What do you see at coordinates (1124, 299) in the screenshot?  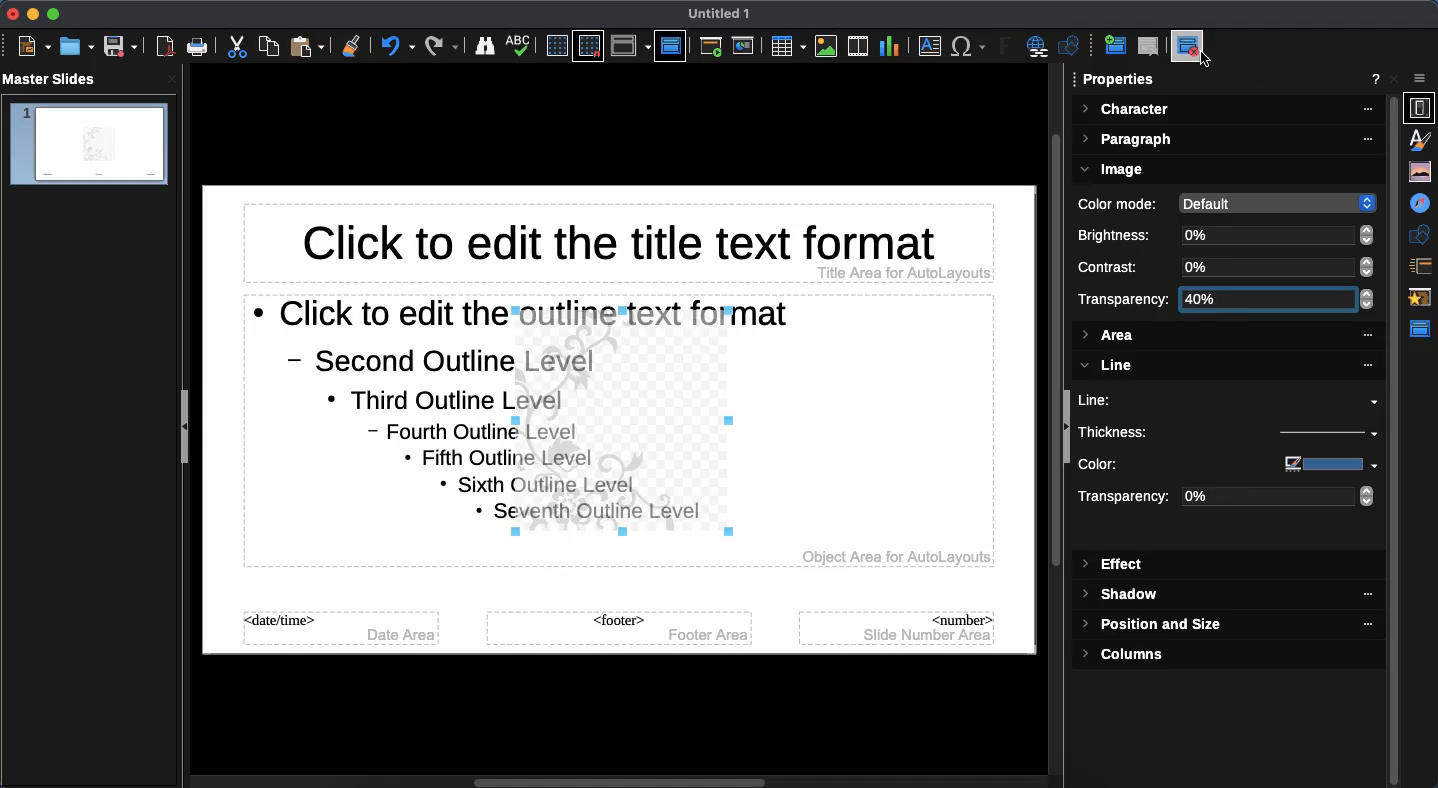 I see `Transparency` at bounding box center [1124, 299].